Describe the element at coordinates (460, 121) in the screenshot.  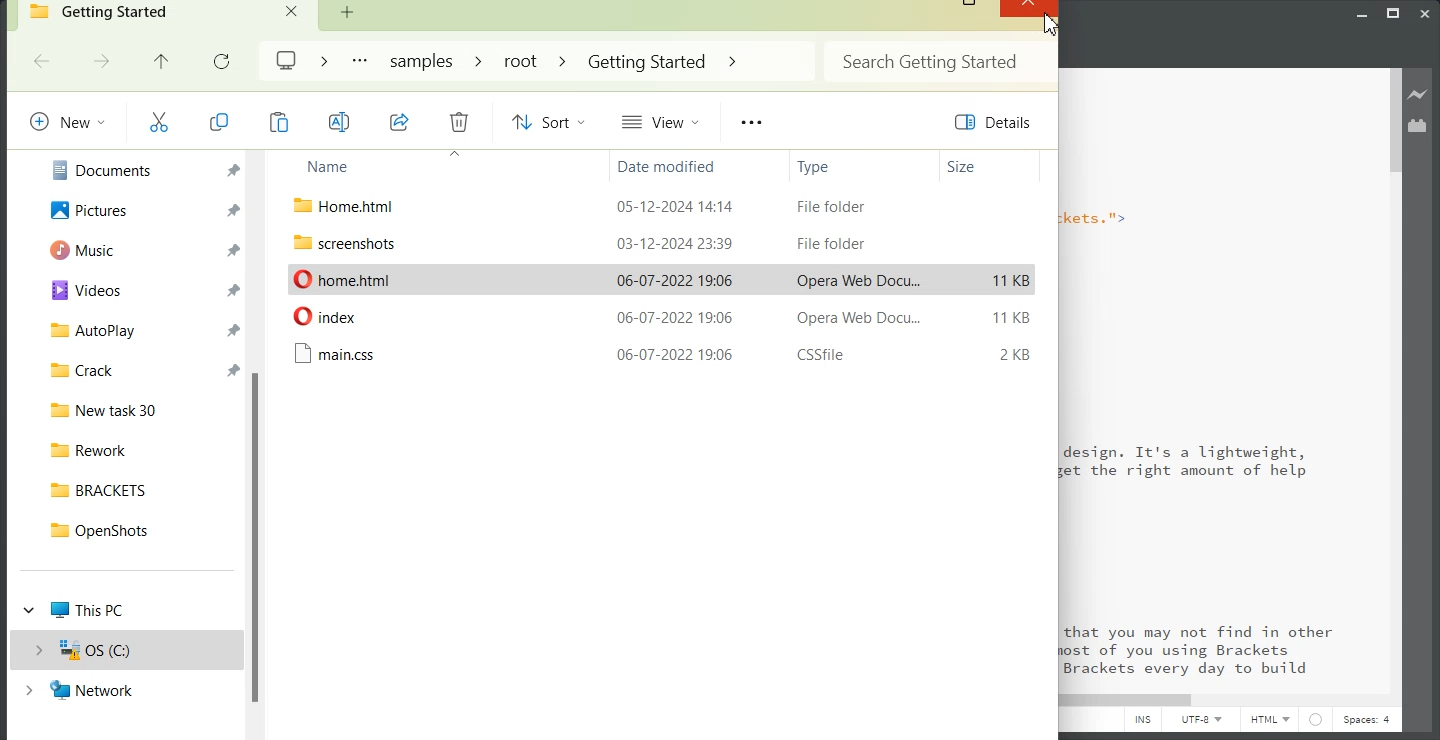
I see `Delete` at that location.